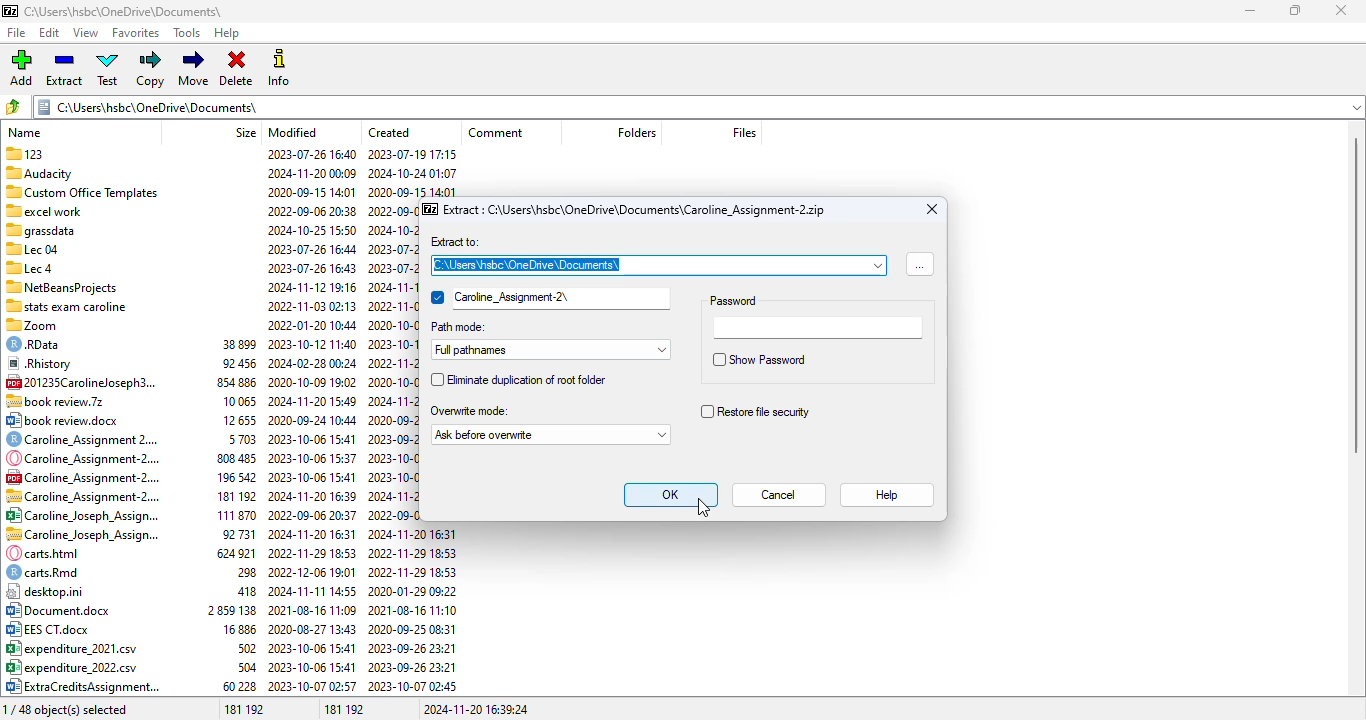 The height and width of the screenshot is (720, 1366). What do you see at coordinates (232, 591) in the screenshot?
I see `desktop.ini 418 2024-11-11 14:55 2020-01-29 09:22` at bounding box center [232, 591].